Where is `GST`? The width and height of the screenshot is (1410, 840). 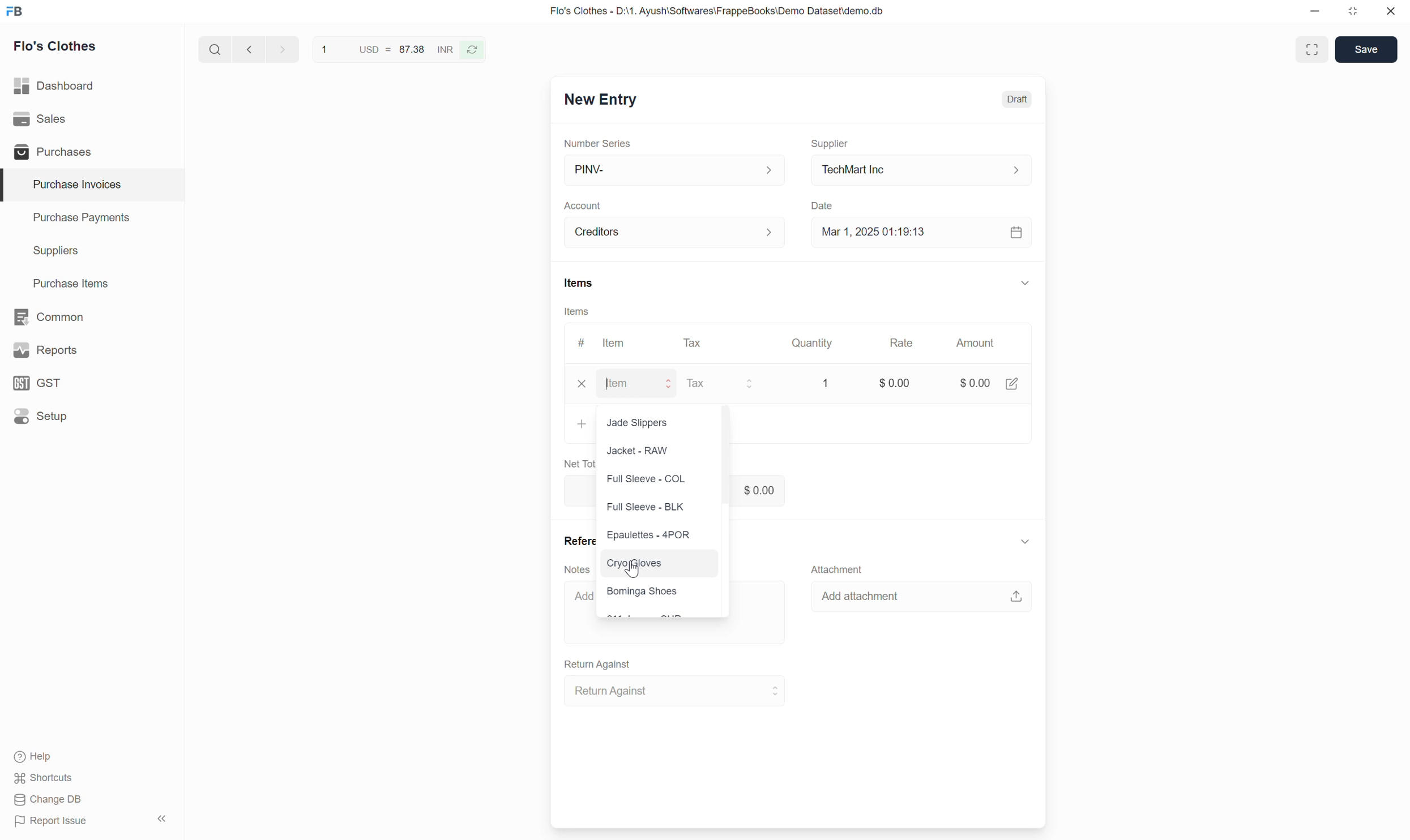 GST is located at coordinates (42, 383).